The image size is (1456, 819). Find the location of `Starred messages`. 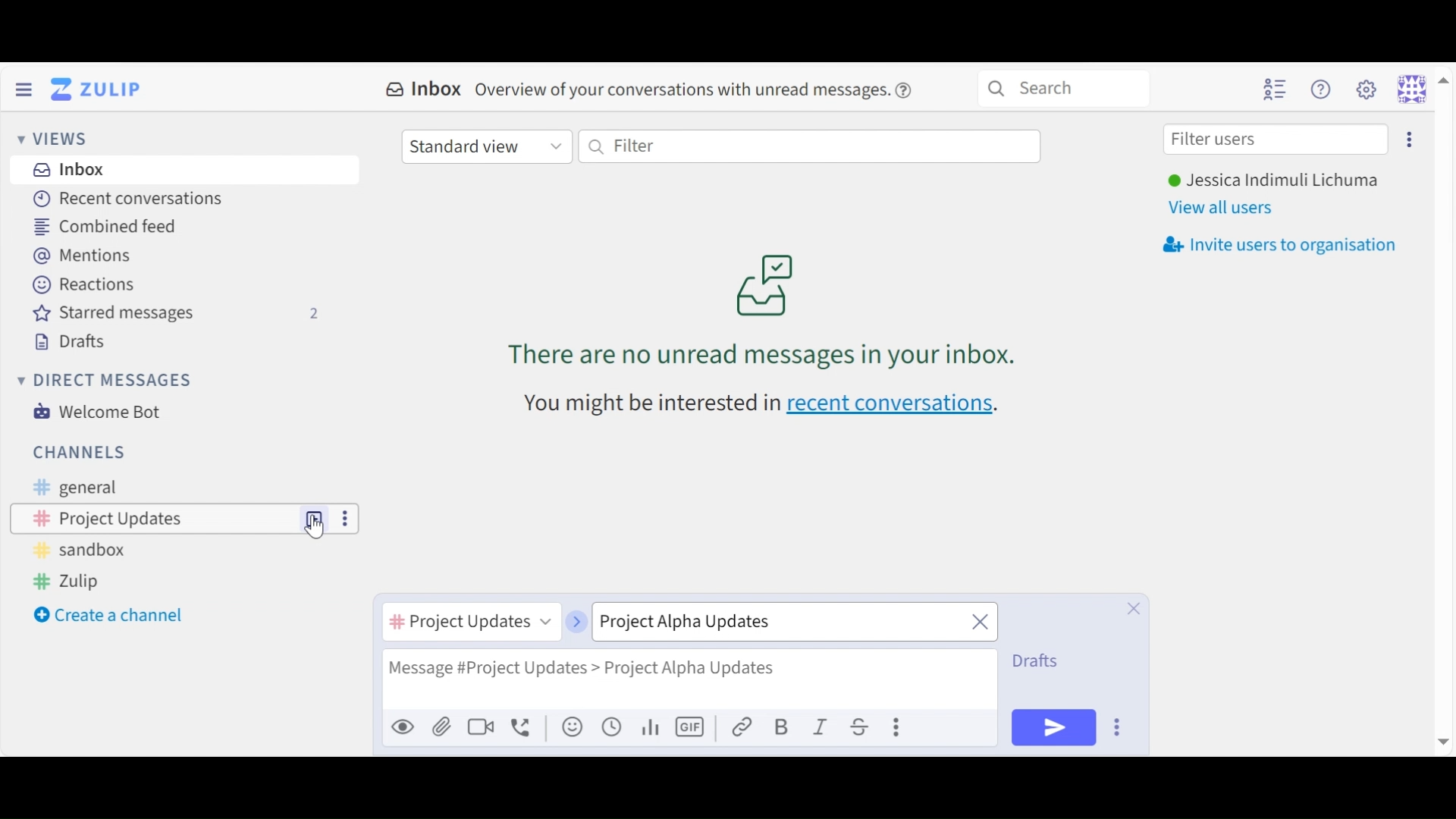

Starred messages is located at coordinates (176, 313).